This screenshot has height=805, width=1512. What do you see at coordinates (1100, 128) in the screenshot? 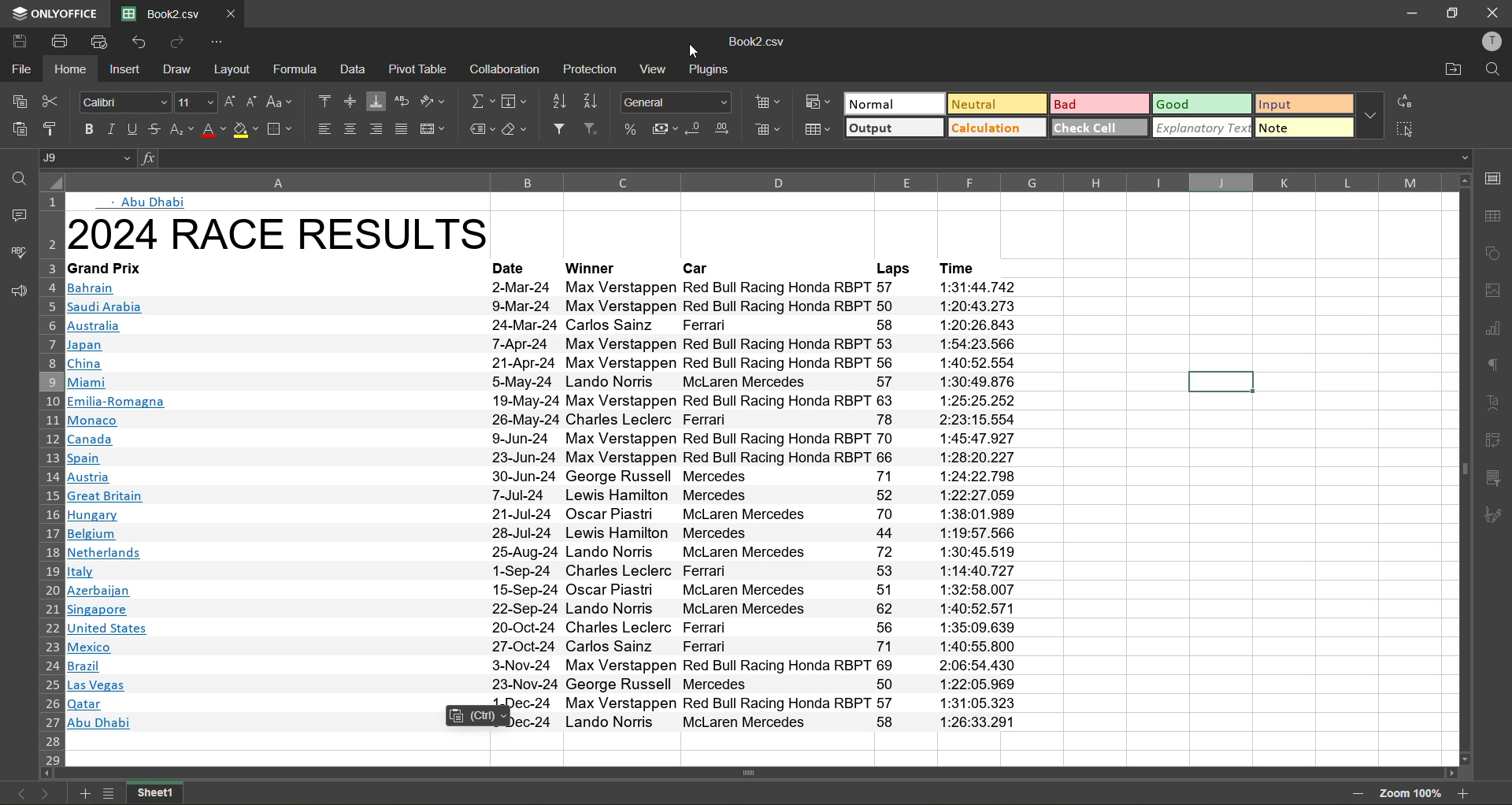
I see `check cell` at bounding box center [1100, 128].